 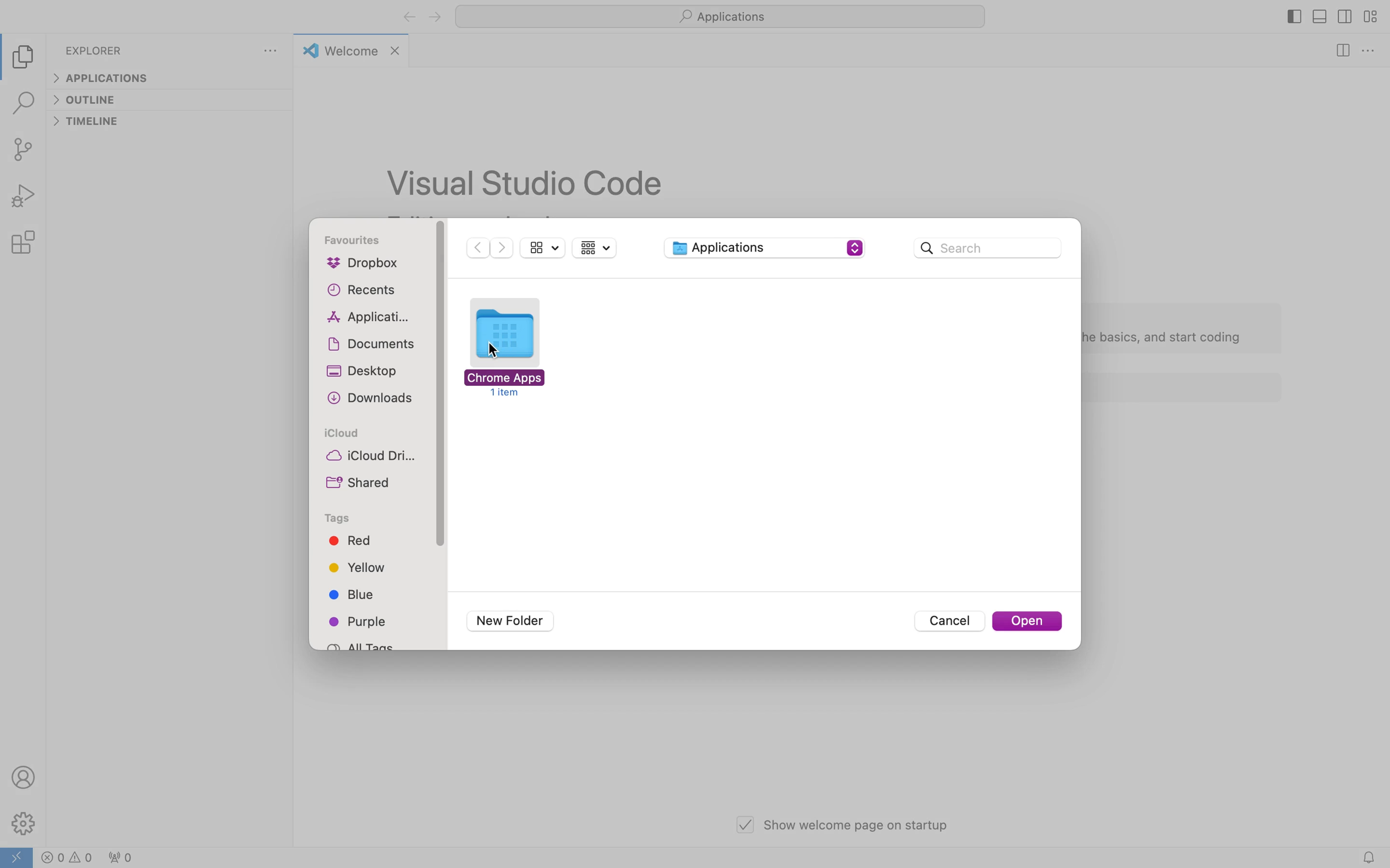 What do you see at coordinates (528, 183) in the screenshot?
I see `vs code text` at bounding box center [528, 183].